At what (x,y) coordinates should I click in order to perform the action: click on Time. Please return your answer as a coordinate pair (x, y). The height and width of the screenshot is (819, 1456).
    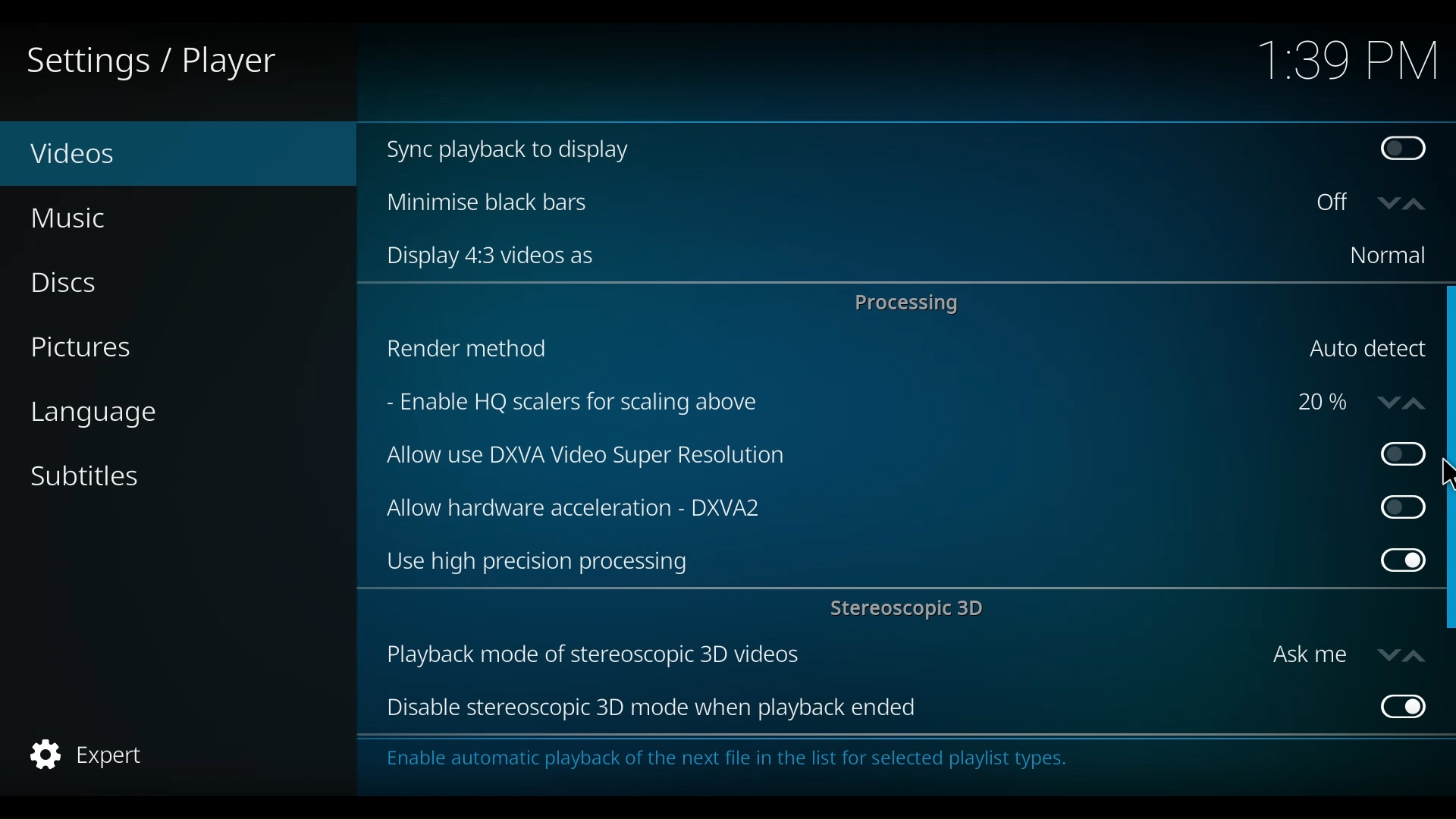
    Looking at the image, I should click on (1348, 63).